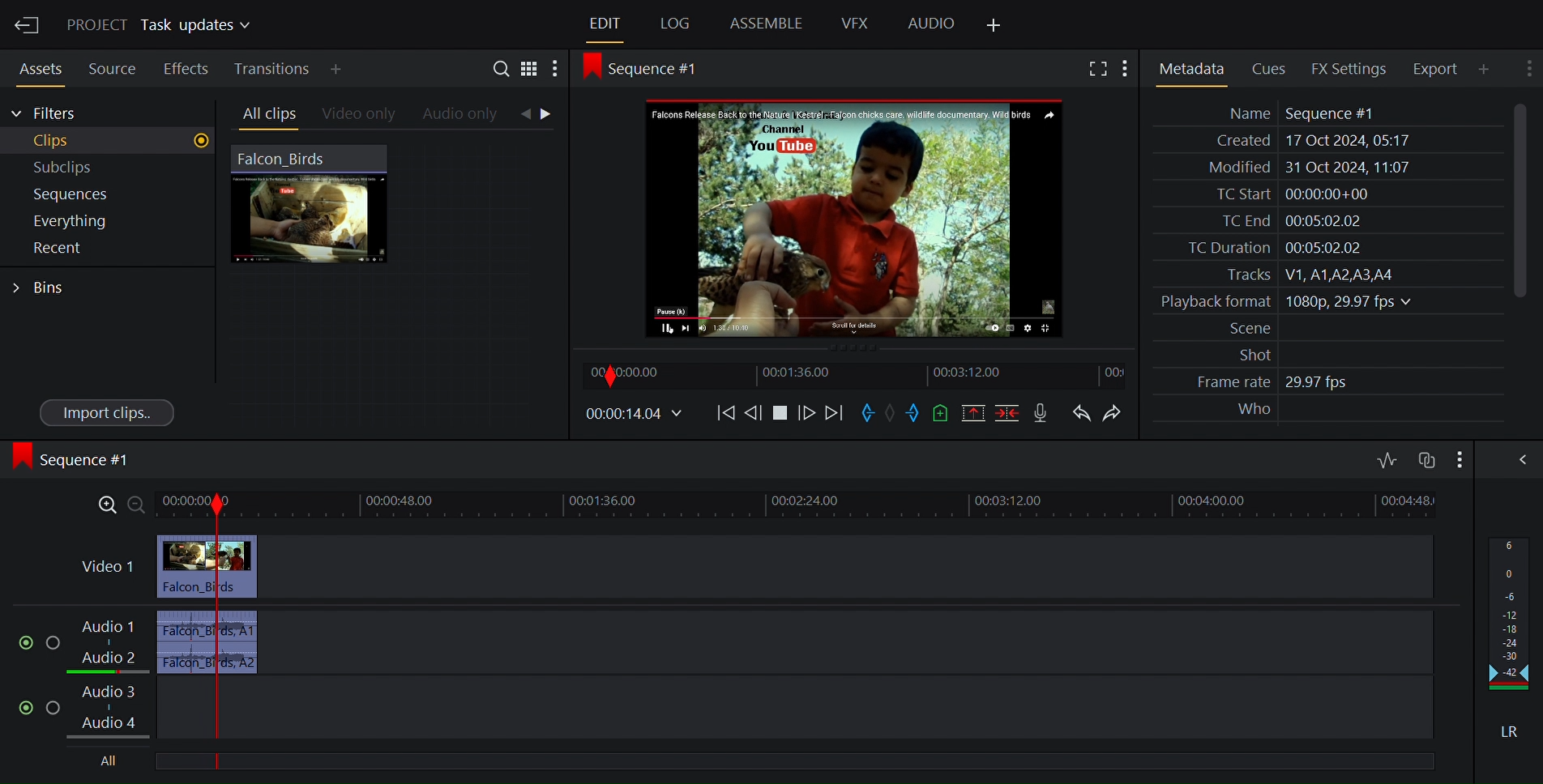 The image size is (1543, 784). What do you see at coordinates (1267, 68) in the screenshot?
I see `Cues` at bounding box center [1267, 68].